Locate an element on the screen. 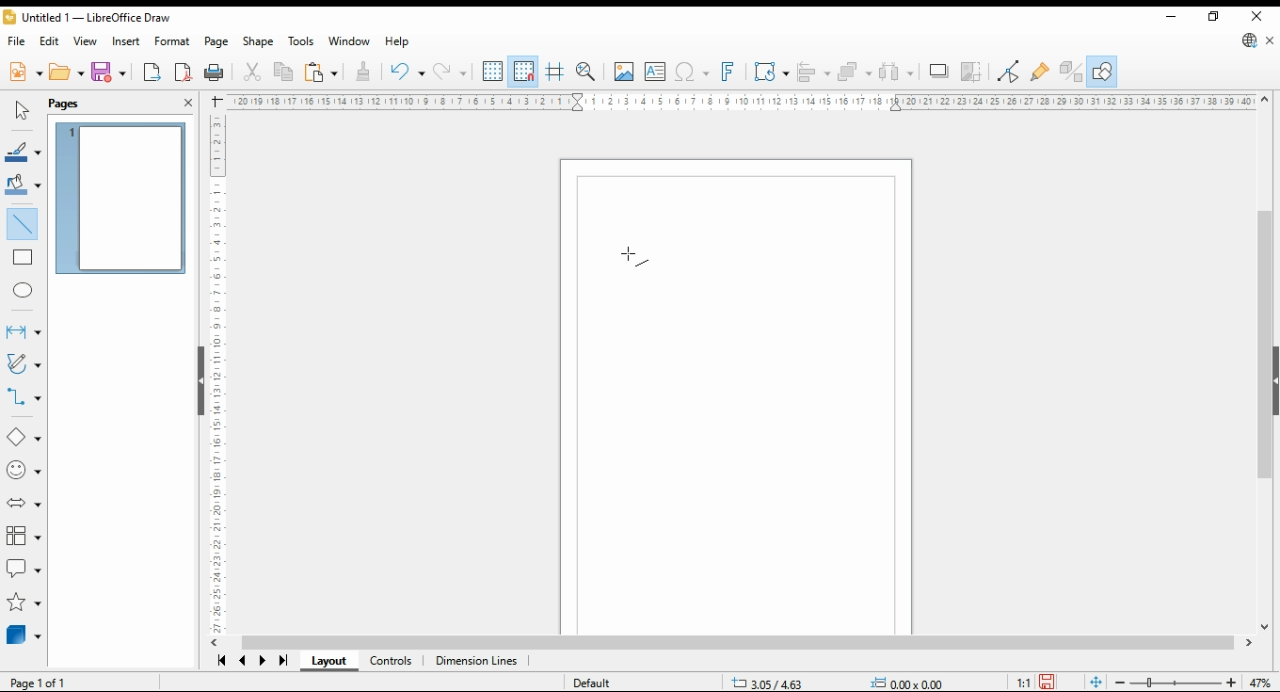 The height and width of the screenshot is (692, 1280). connectors is located at coordinates (24, 397).